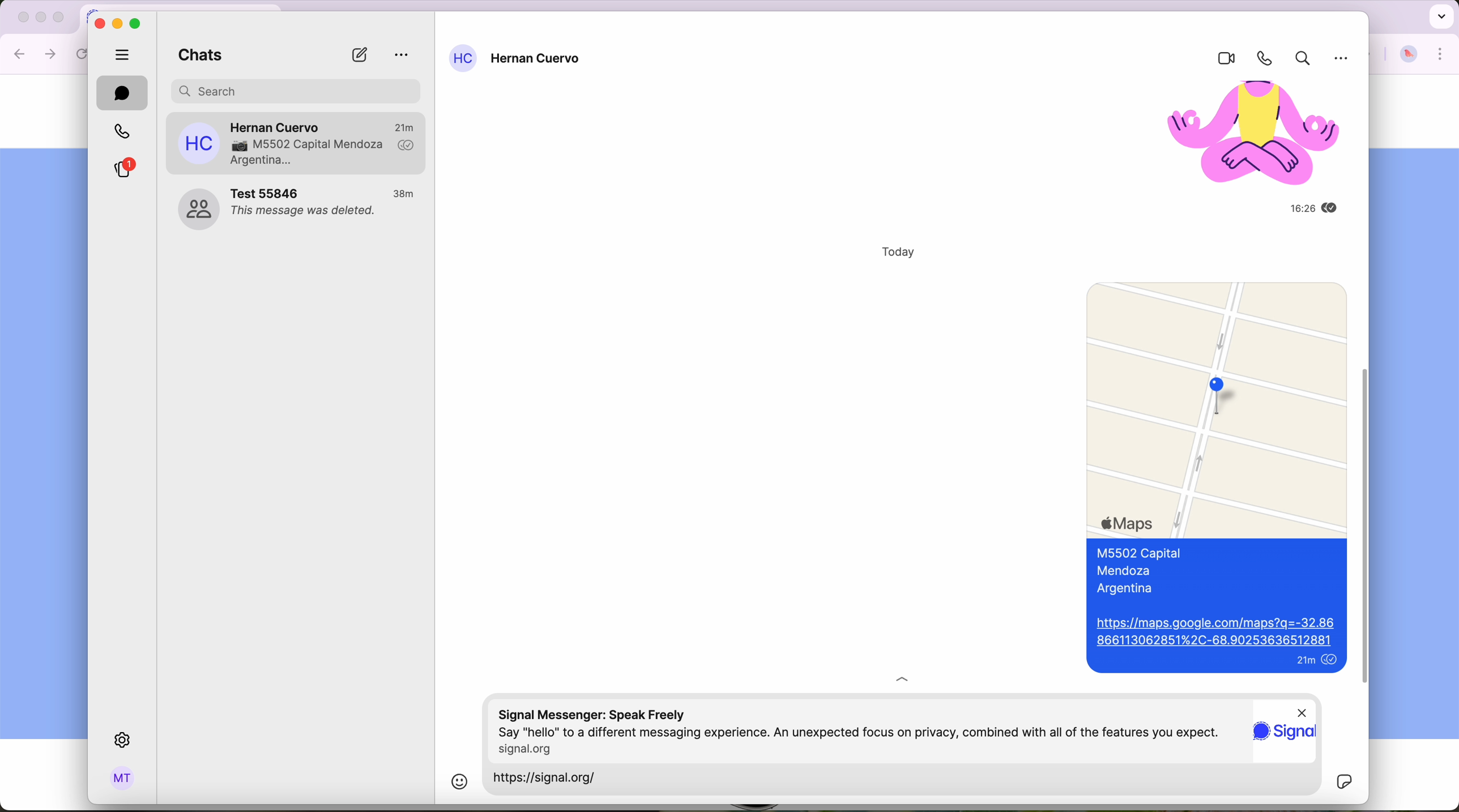 This screenshot has height=812, width=1459. I want to click on seen, so click(1333, 660).